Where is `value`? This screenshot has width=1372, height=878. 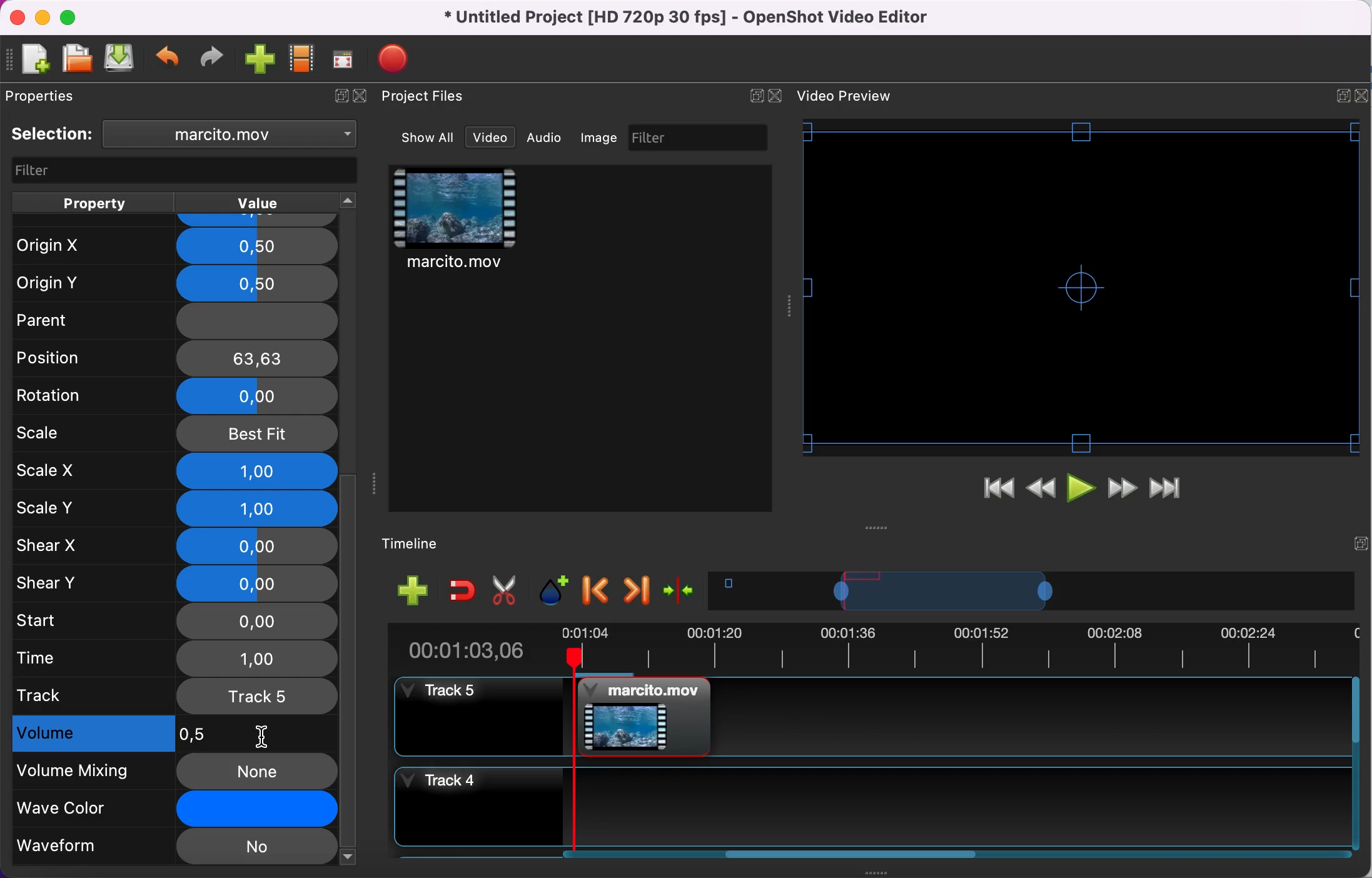
value is located at coordinates (255, 203).